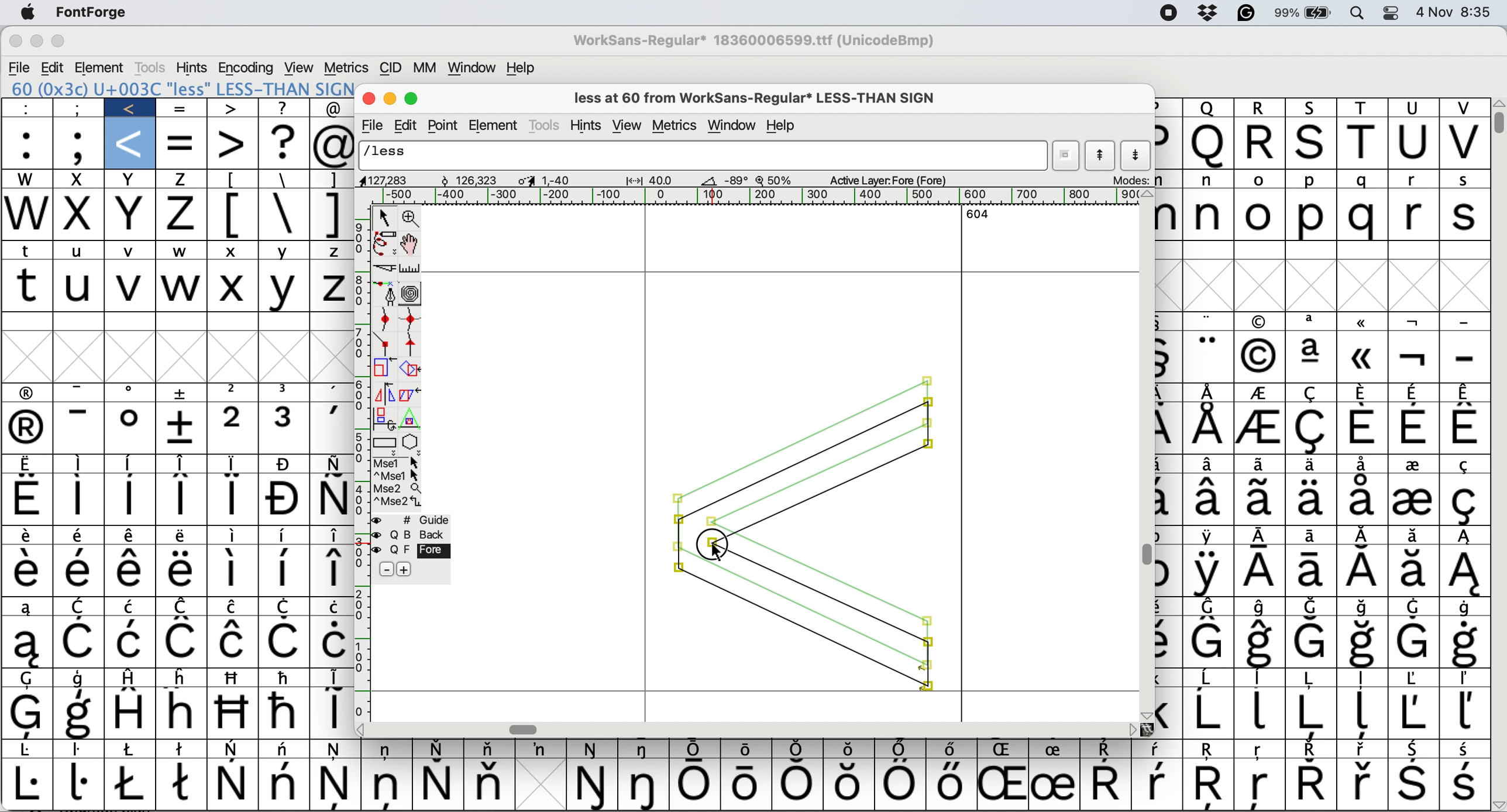 The width and height of the screenshot is (1507, 812). I want to click on screen recorder, so click(1168, 15).